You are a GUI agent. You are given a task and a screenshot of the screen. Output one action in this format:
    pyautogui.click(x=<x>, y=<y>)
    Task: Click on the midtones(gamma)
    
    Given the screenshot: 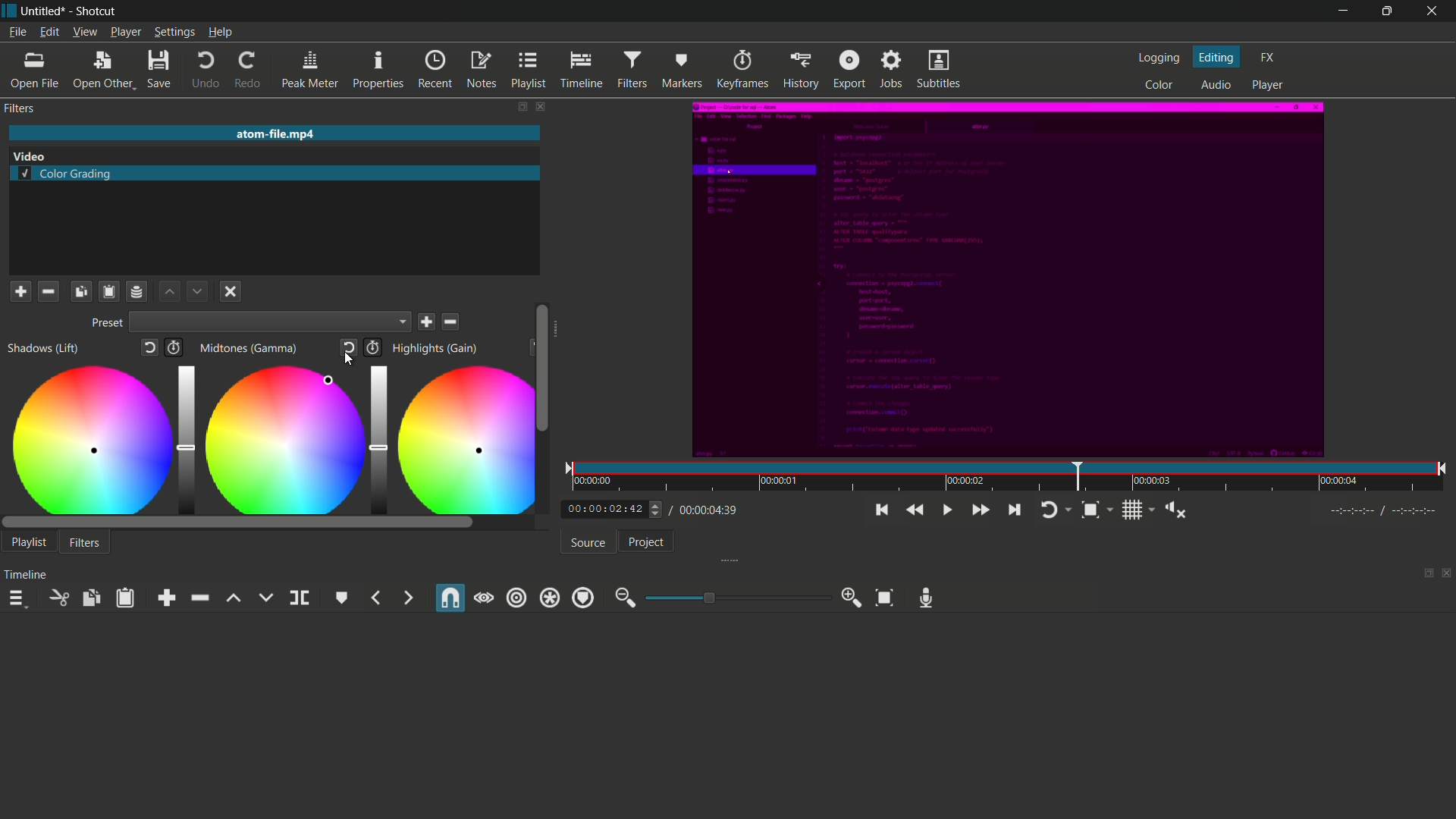 What is the action you would take?
    pyautogui.click(x=251, y=349)
    